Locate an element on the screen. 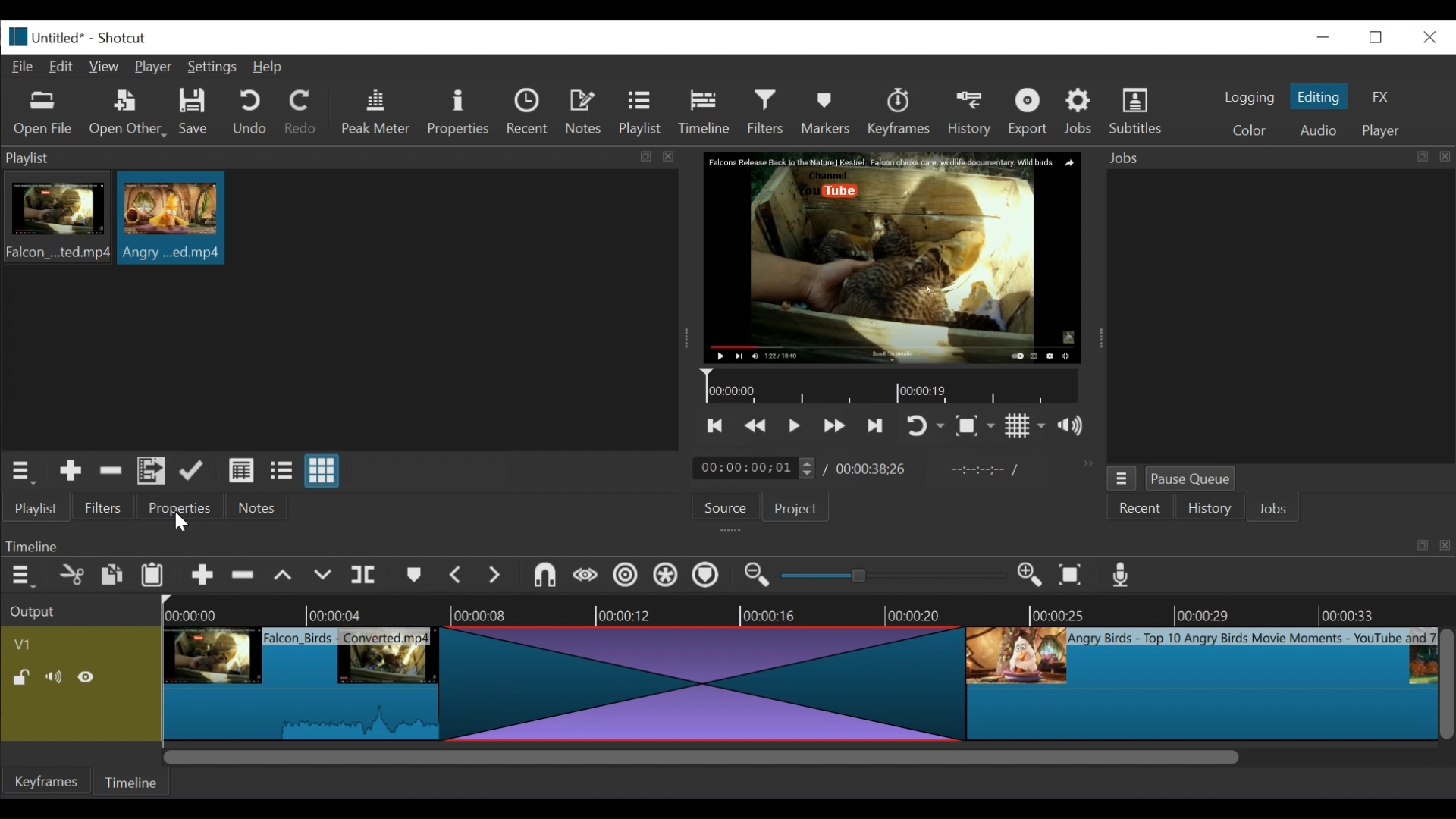 Image resolution: width=1456 pixels, height=819 pixels. Open Other is located at coordinates (129, 114).